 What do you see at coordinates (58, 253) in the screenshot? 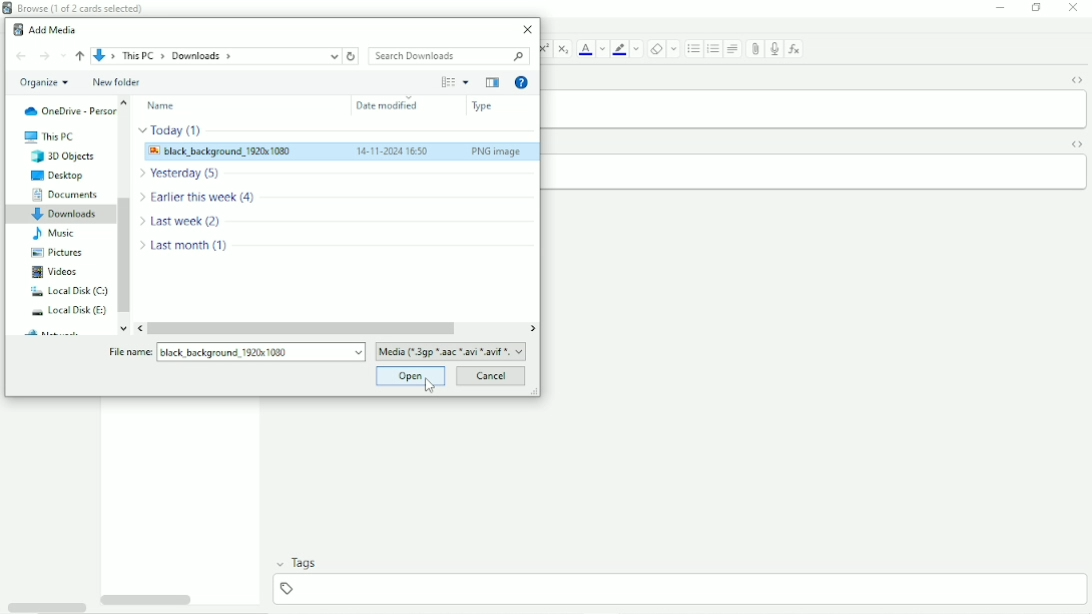
I see `Pictures` at bounding box center [58, 253].